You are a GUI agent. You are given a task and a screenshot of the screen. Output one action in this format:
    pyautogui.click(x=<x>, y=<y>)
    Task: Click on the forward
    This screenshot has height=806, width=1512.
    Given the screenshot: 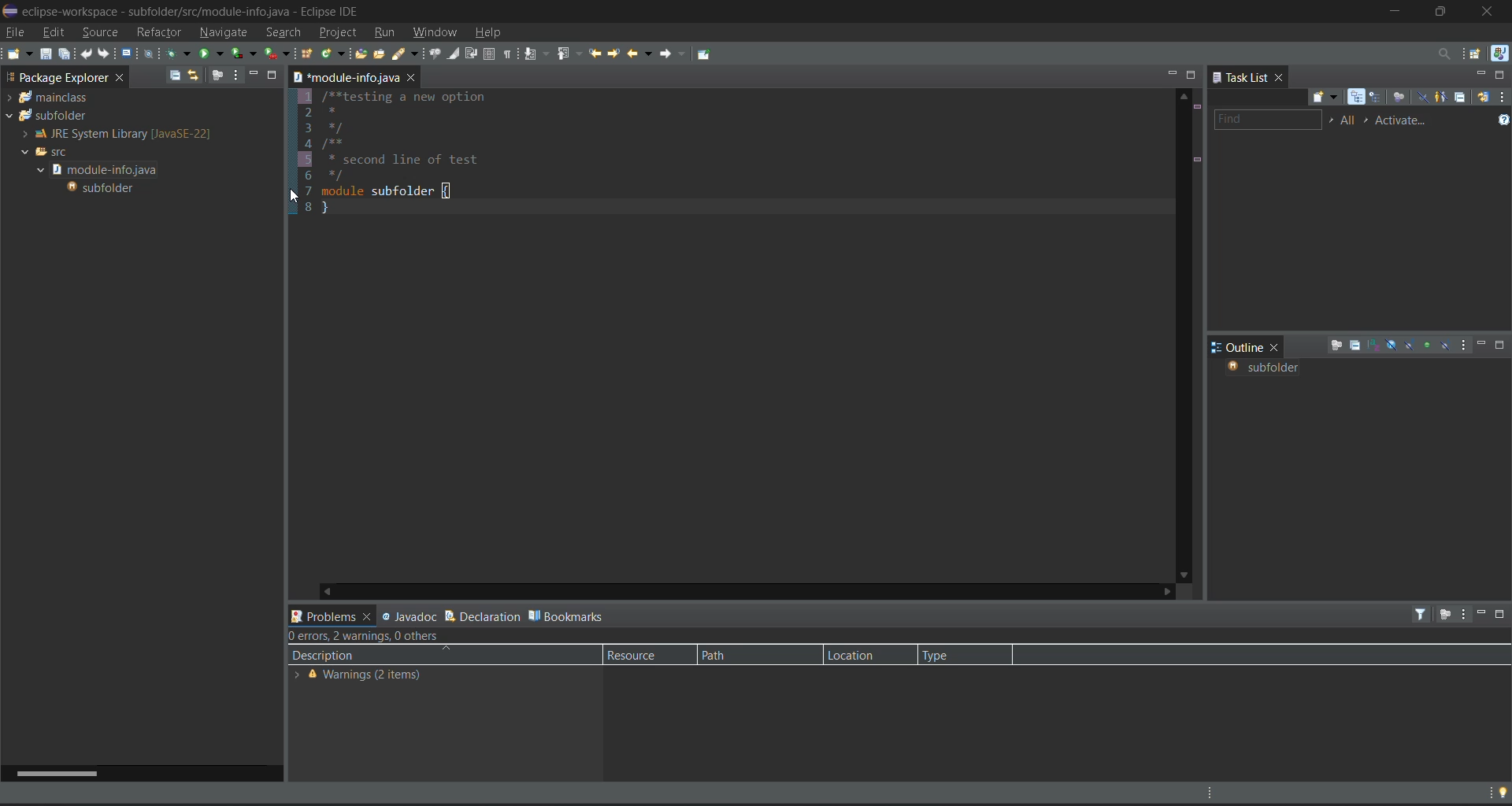 What is the action you would take?
    pyautogui.click(x=669, y=54)
    